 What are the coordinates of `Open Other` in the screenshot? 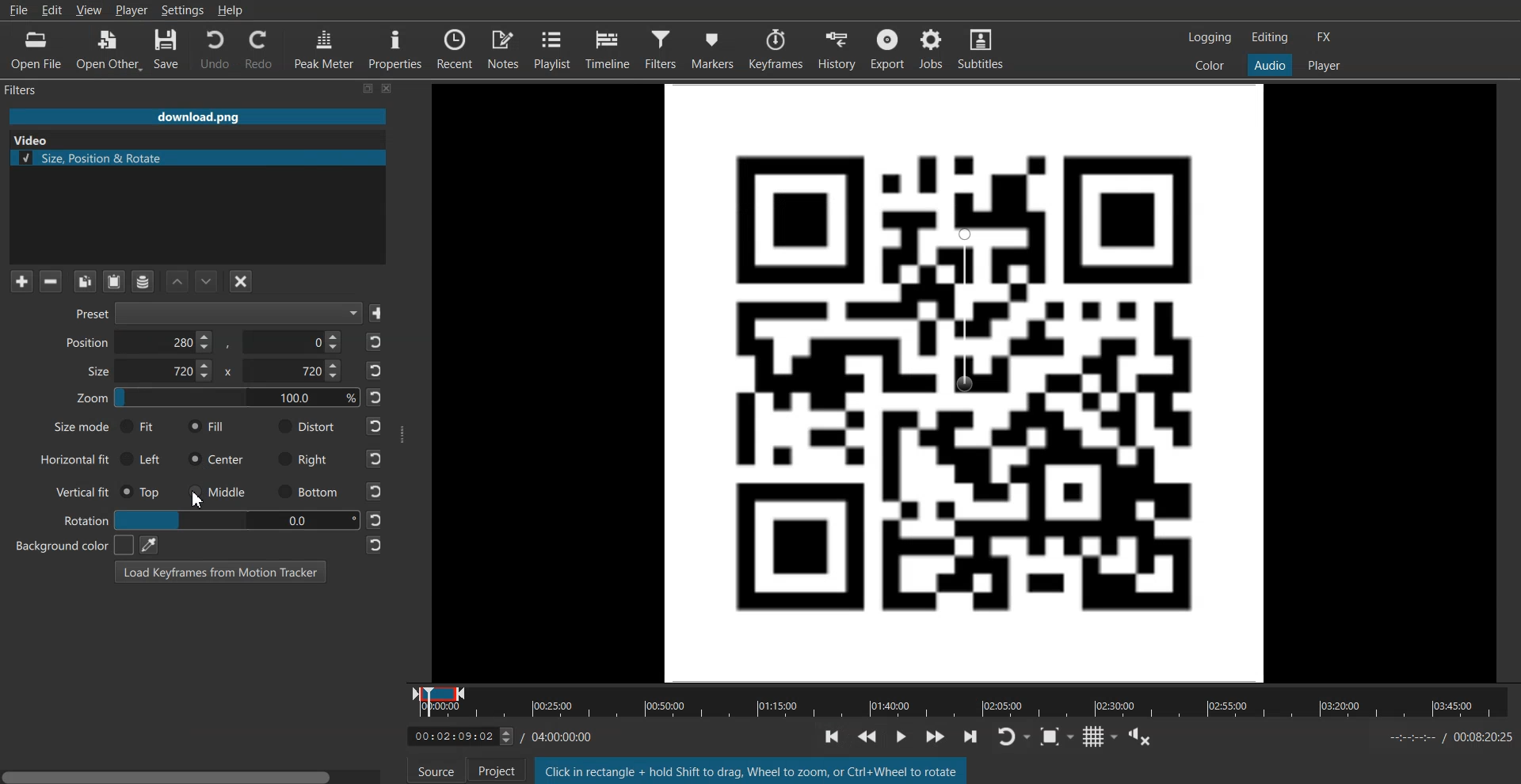 It's located at (108, 49).